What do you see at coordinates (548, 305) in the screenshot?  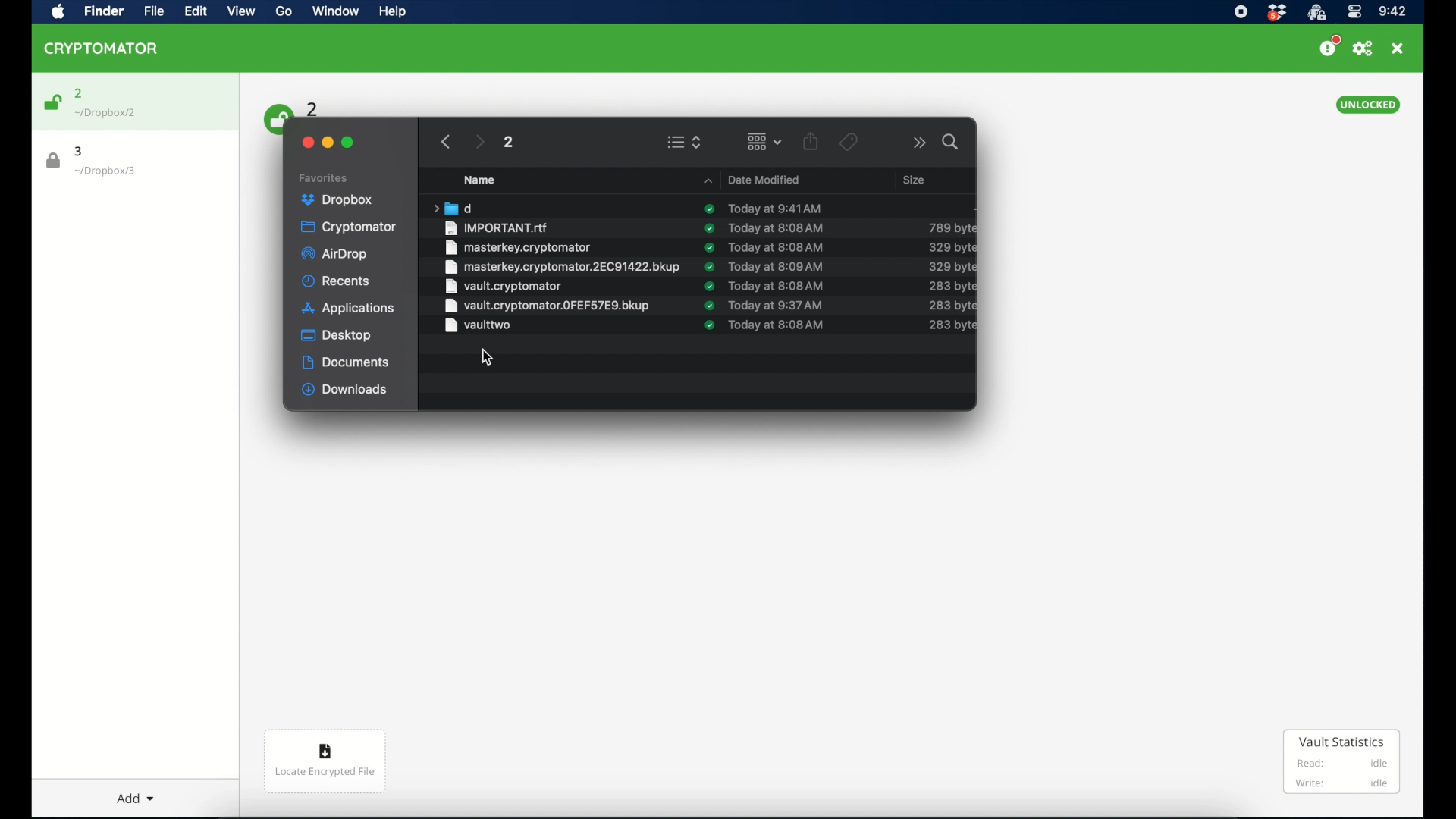 I see `vault` at bounding box center [548, 305].